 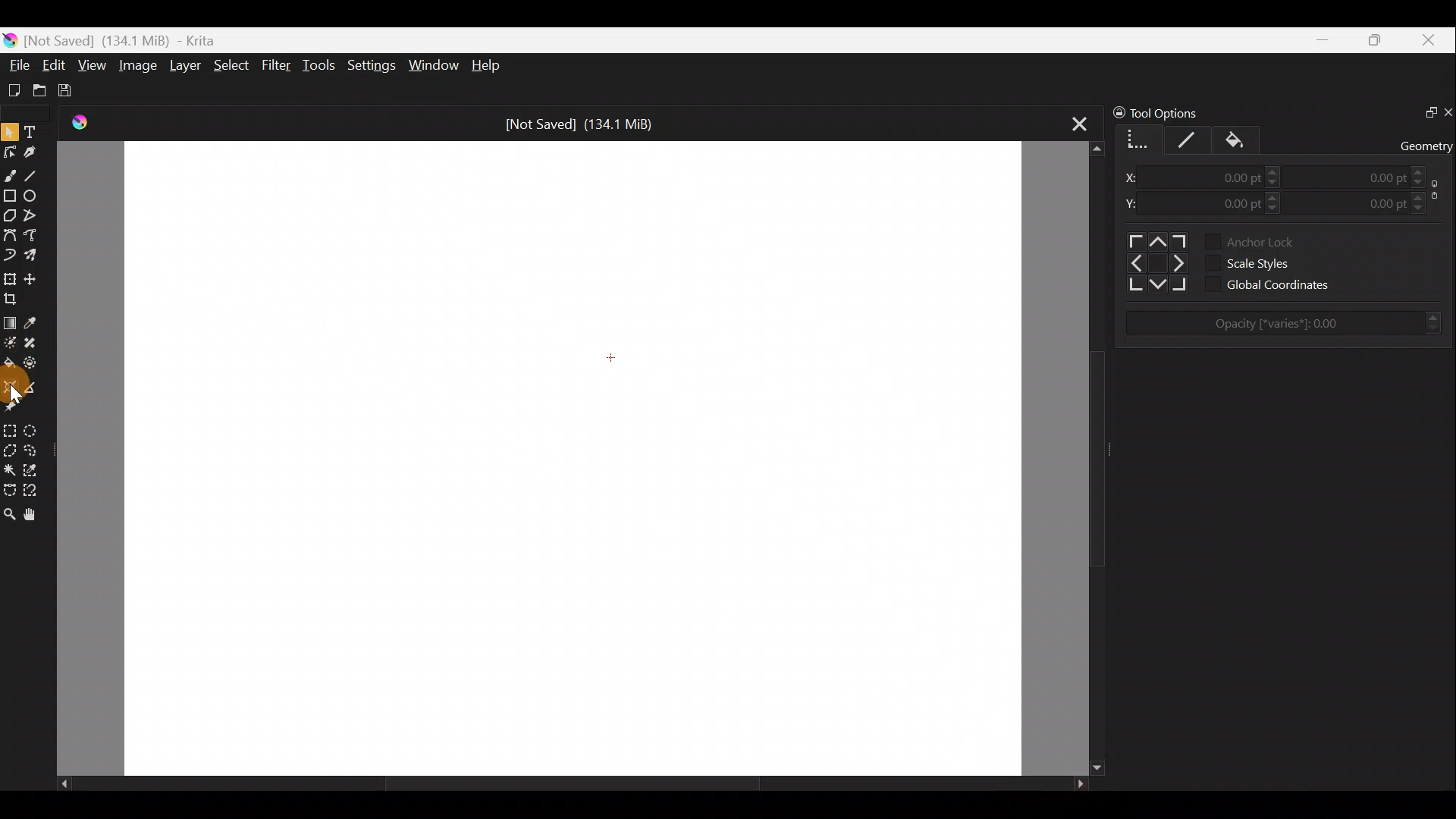 I want to click on Dynamic brush tool, so click(x=9, y=256).